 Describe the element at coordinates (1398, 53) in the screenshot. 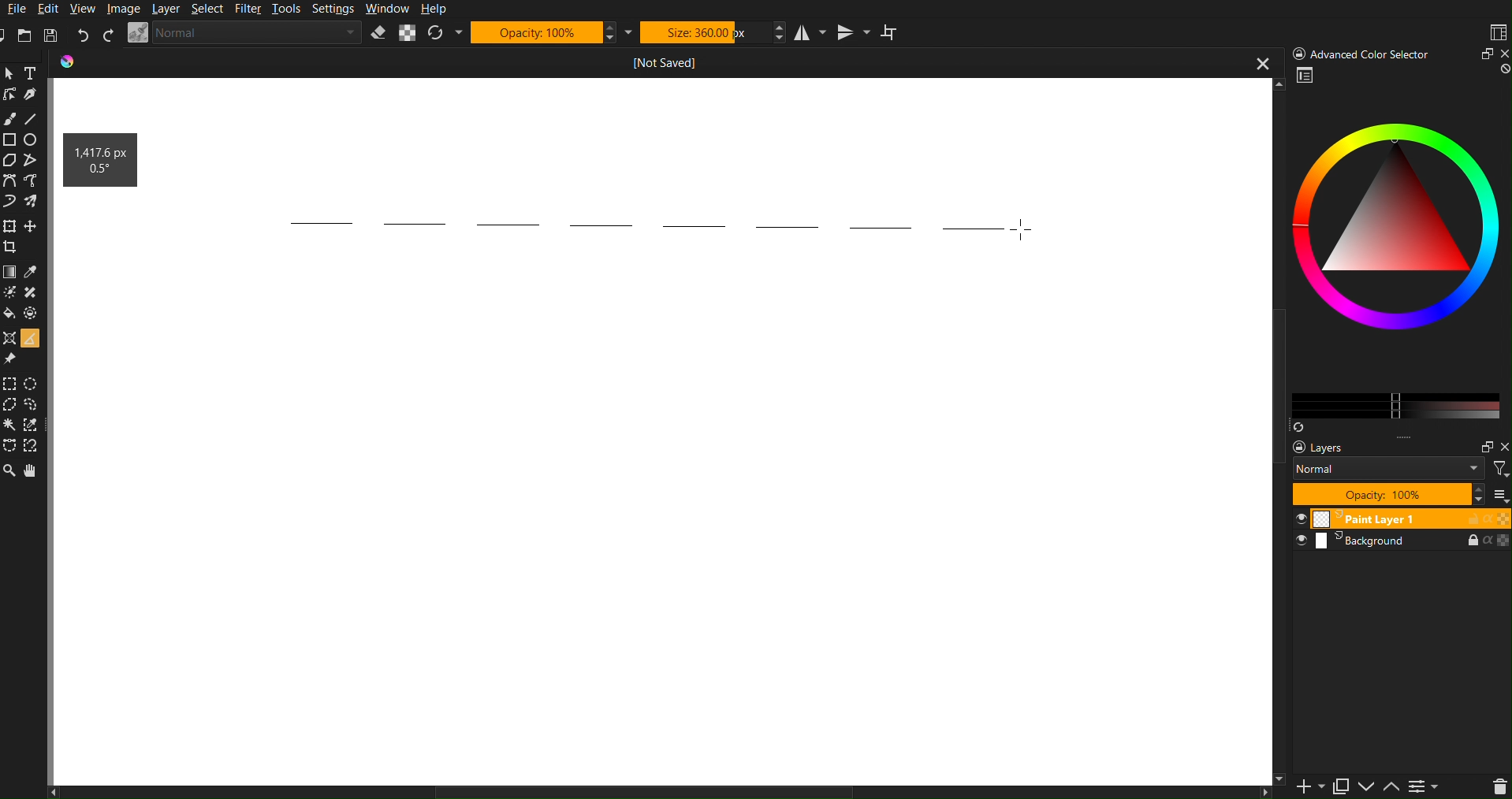

I see `Advanced Color Selector` at that location.